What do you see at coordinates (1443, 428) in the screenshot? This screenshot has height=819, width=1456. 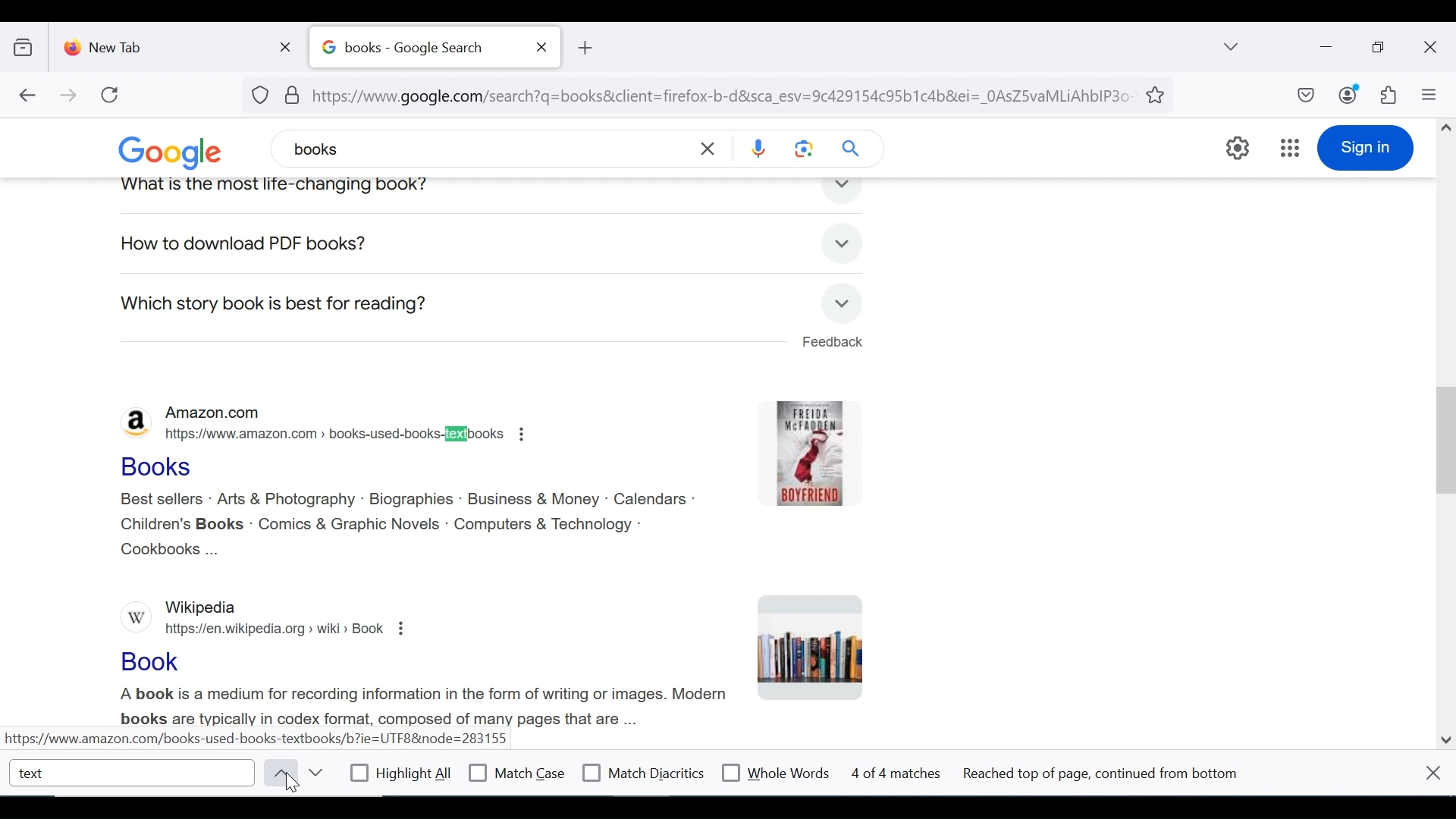 I see `scroll bar` at bounding box center [1443, 428].